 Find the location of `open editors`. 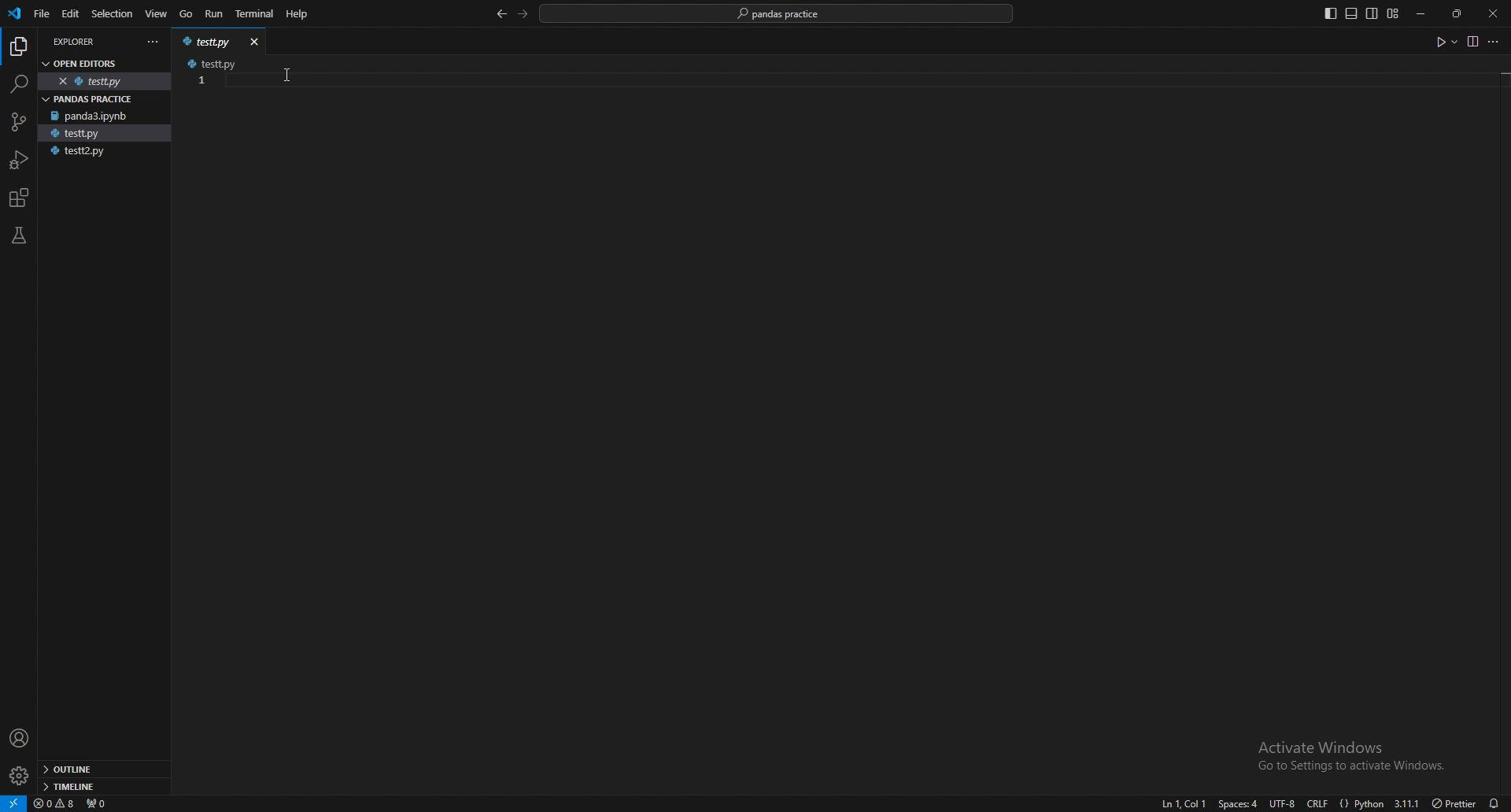

open editors is located at coordinates (99, 62).